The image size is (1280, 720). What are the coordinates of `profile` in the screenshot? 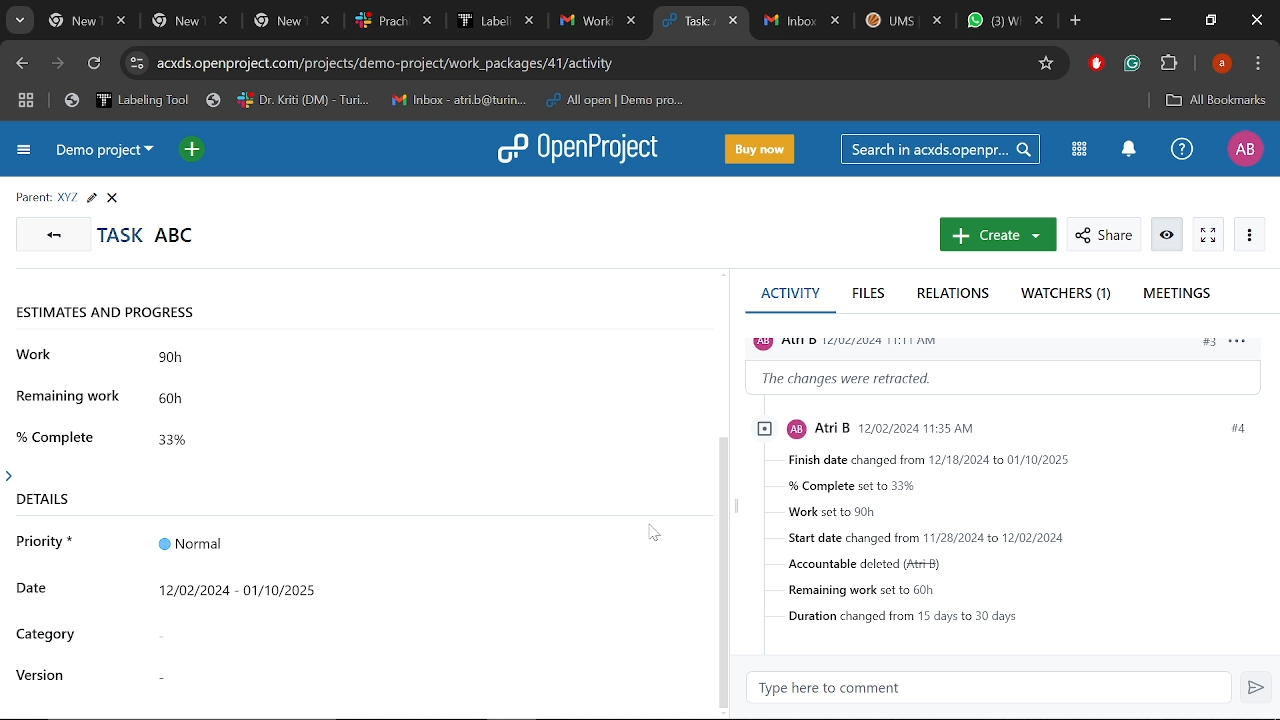 It's located at (855, 341).